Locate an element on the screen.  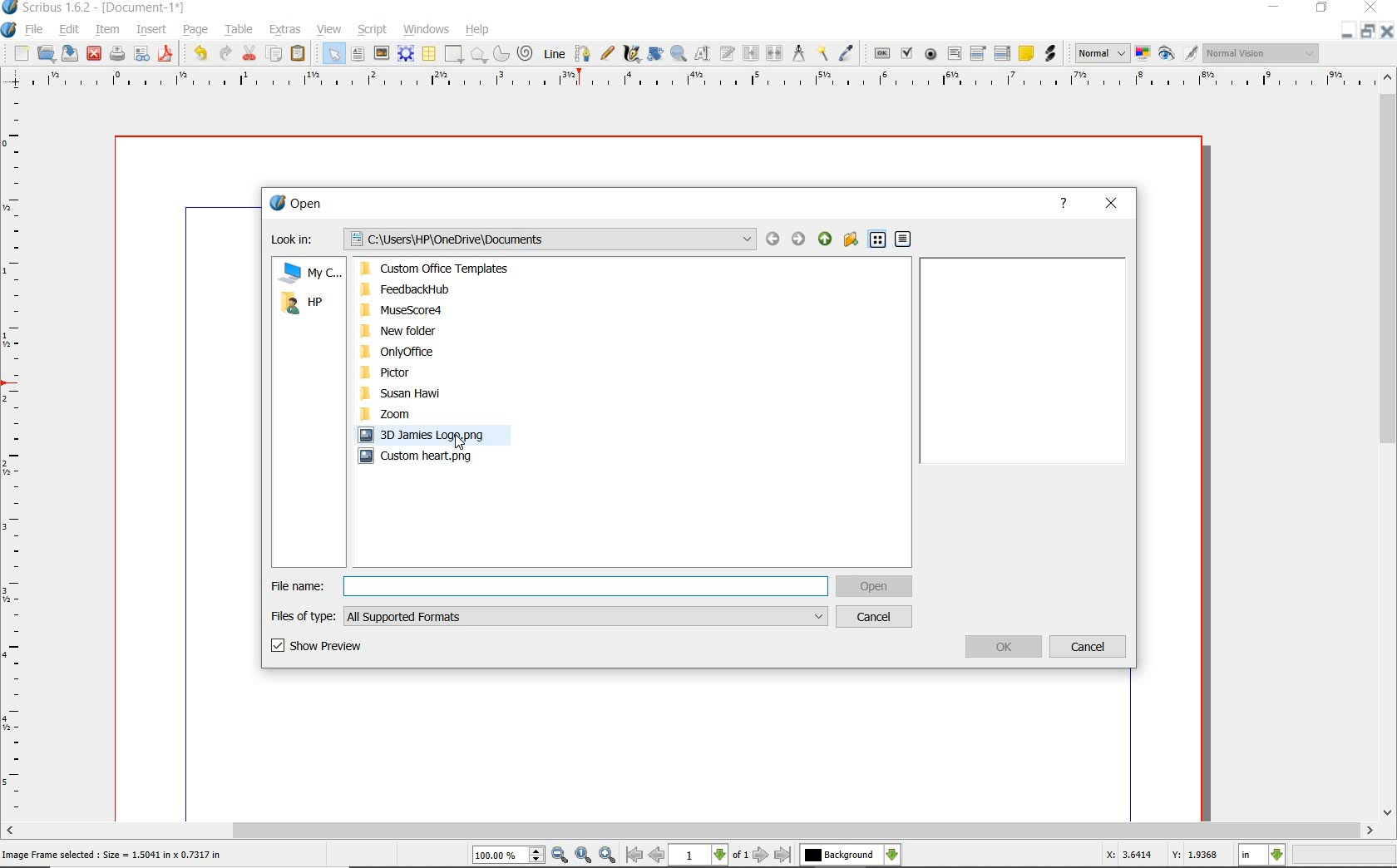
item is located at coordinates (106, 30).